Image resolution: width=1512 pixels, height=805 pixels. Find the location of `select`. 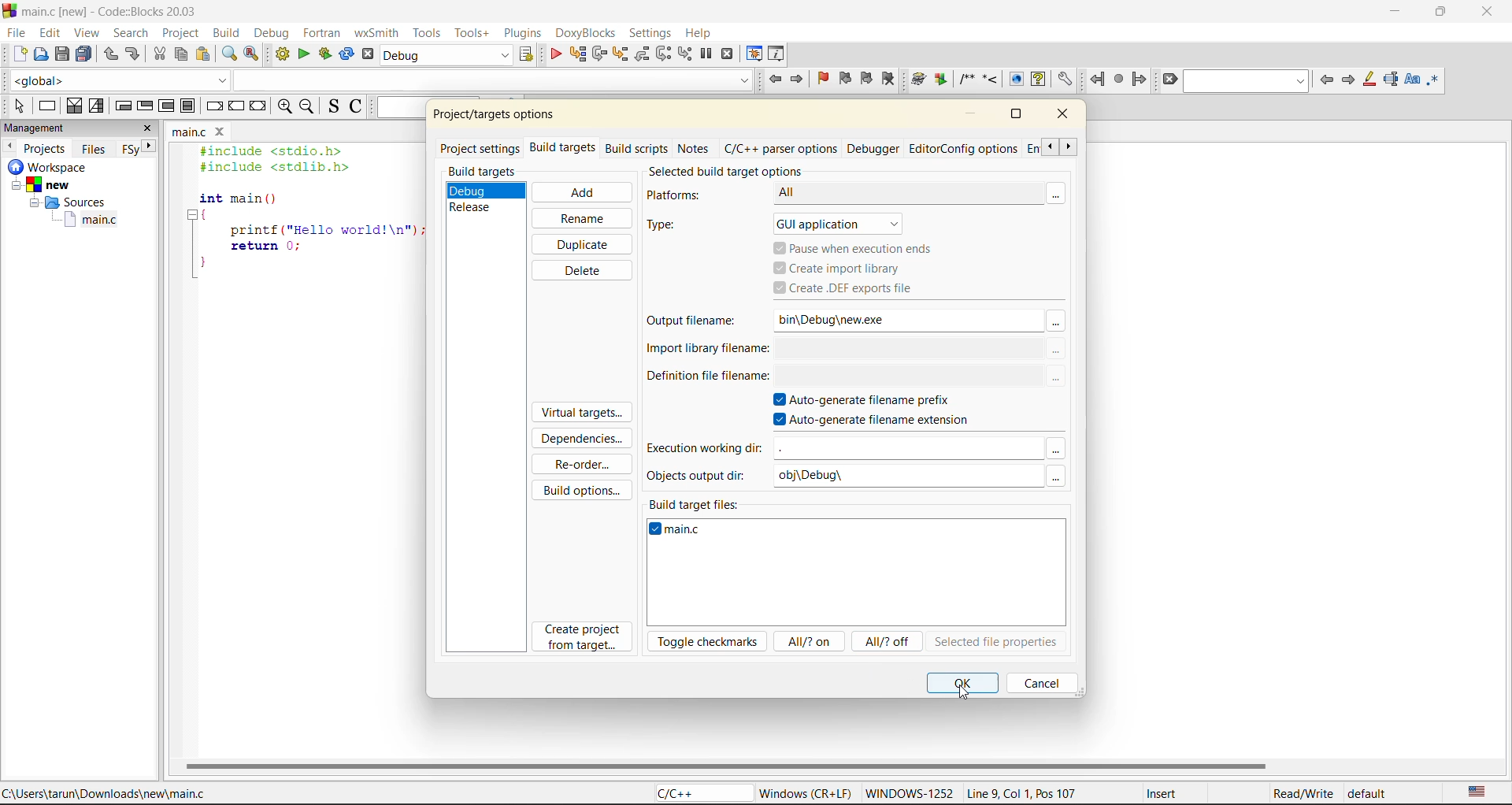

select is located at coordinates (18, 106).